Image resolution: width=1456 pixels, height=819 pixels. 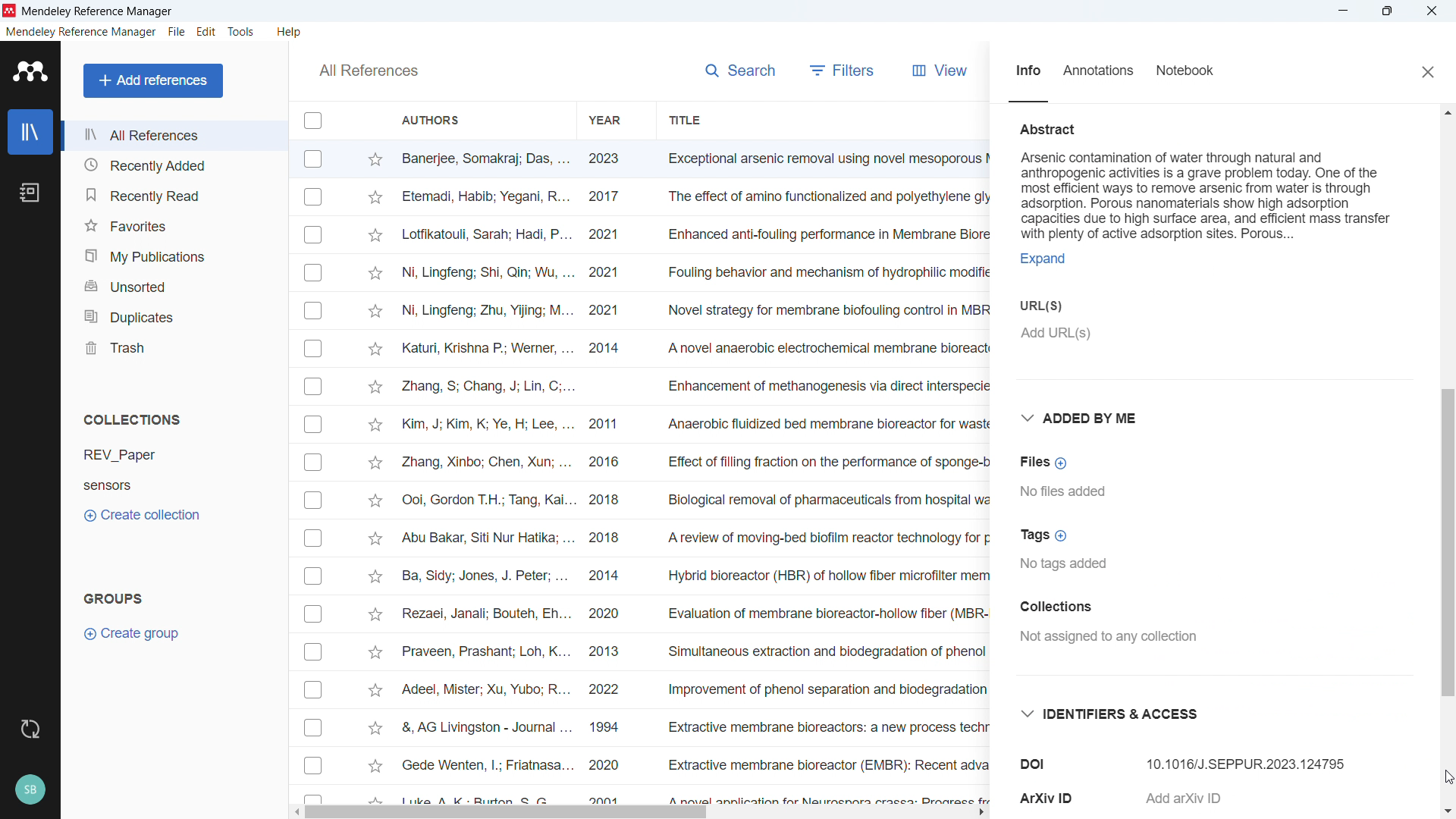 I want to click on click to select individual entry, so click(x=311, y=387).